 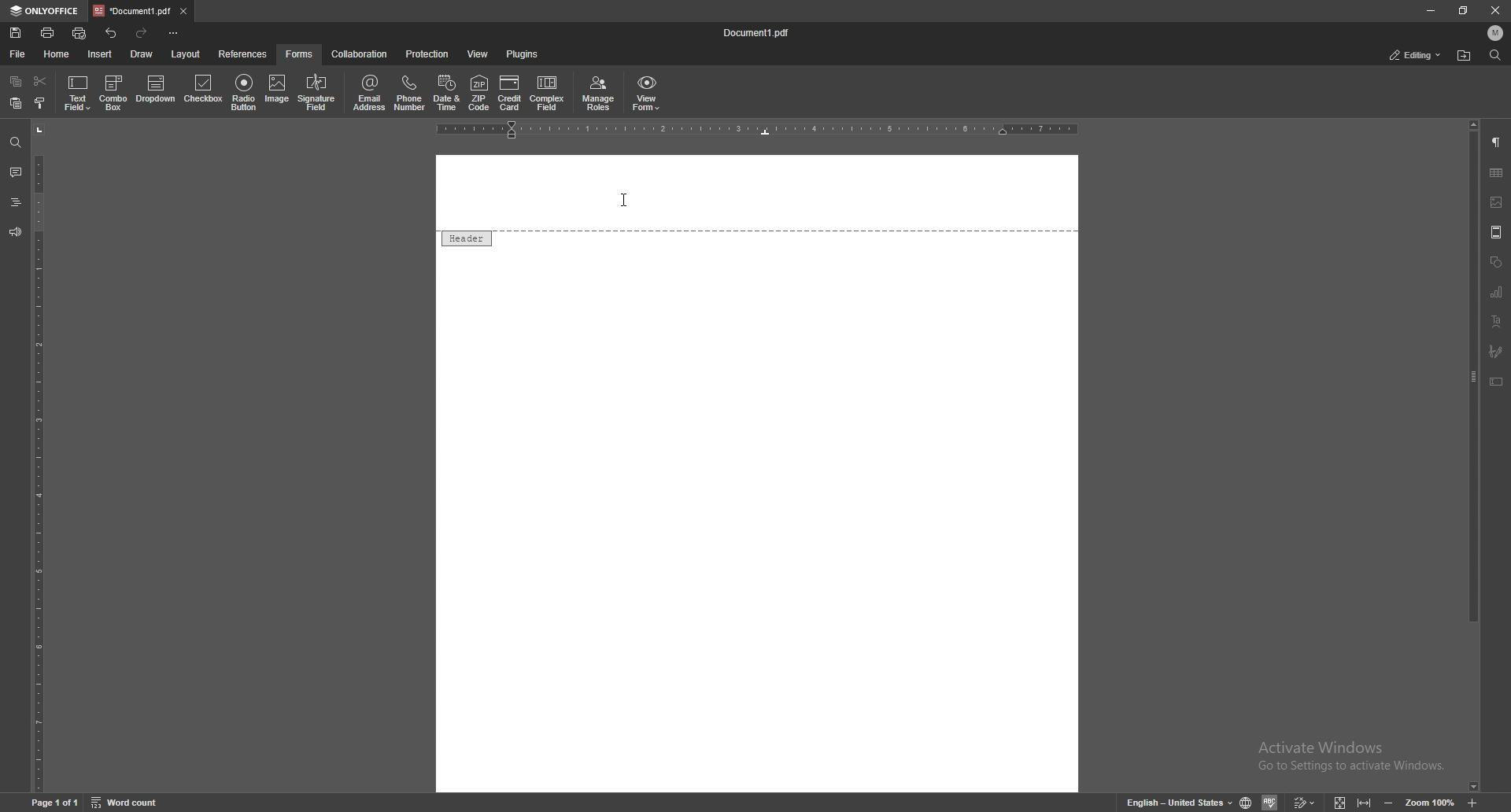 I want to click on headings, so click(x=17, y=201).